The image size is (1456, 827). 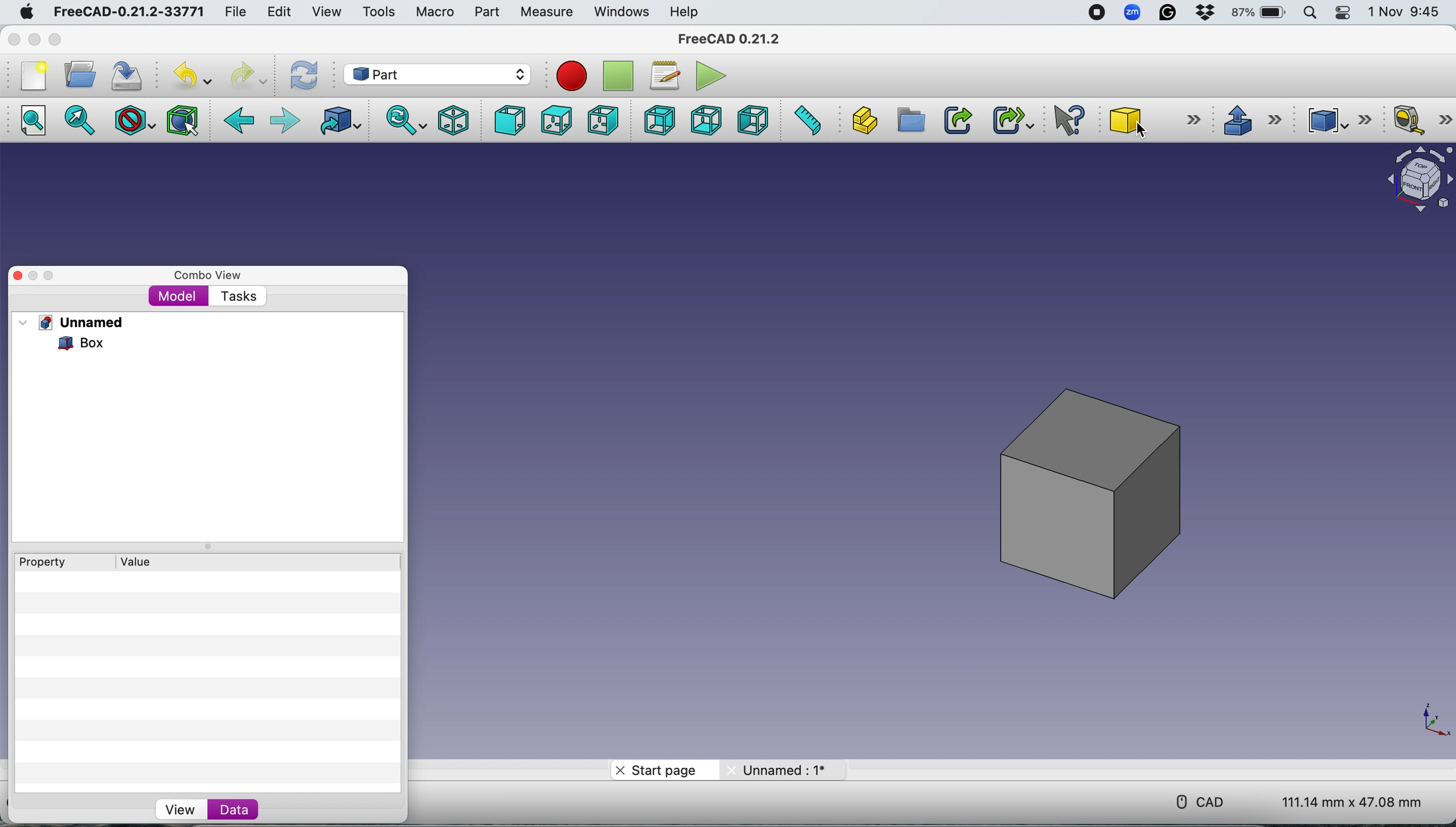 I want to click on Save, so click(x=130, y=73).